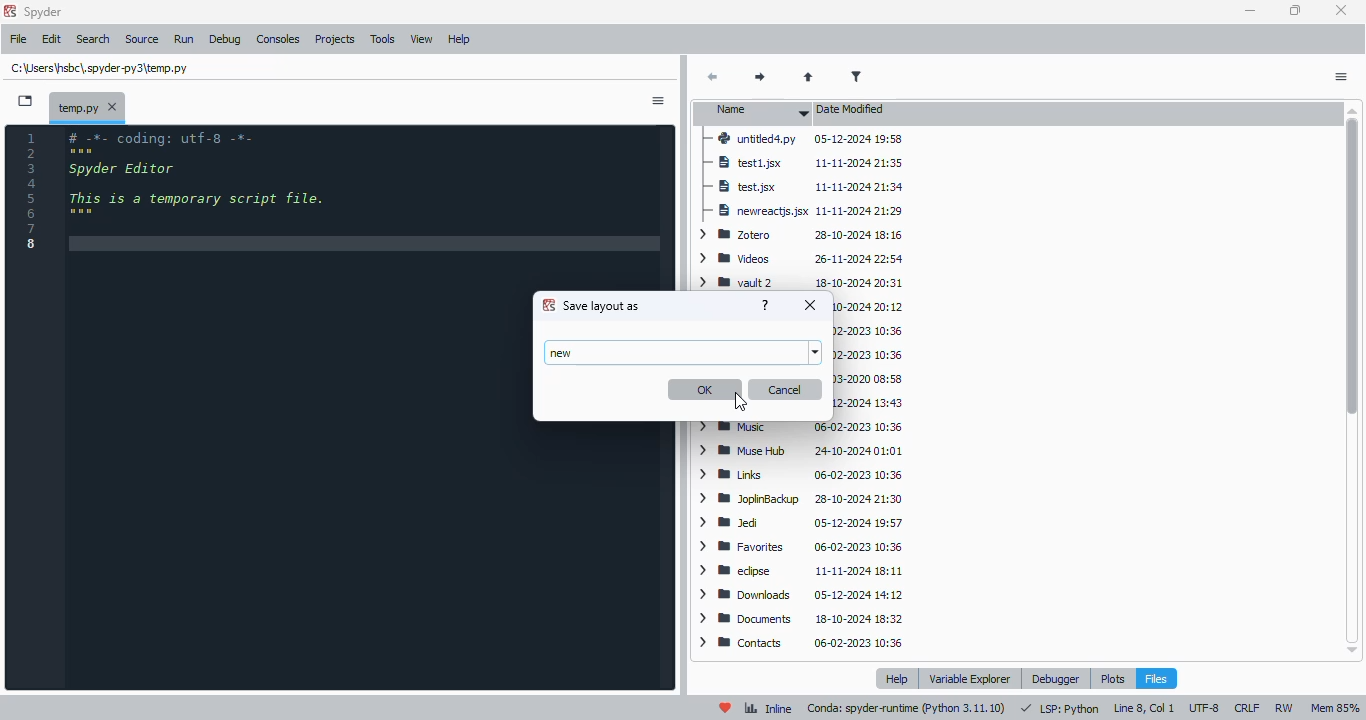 This screenshot has height=720, width=1366. Describe the element at coordinates (804, 185) in the screenshot. I see `test.jsx` at that location.